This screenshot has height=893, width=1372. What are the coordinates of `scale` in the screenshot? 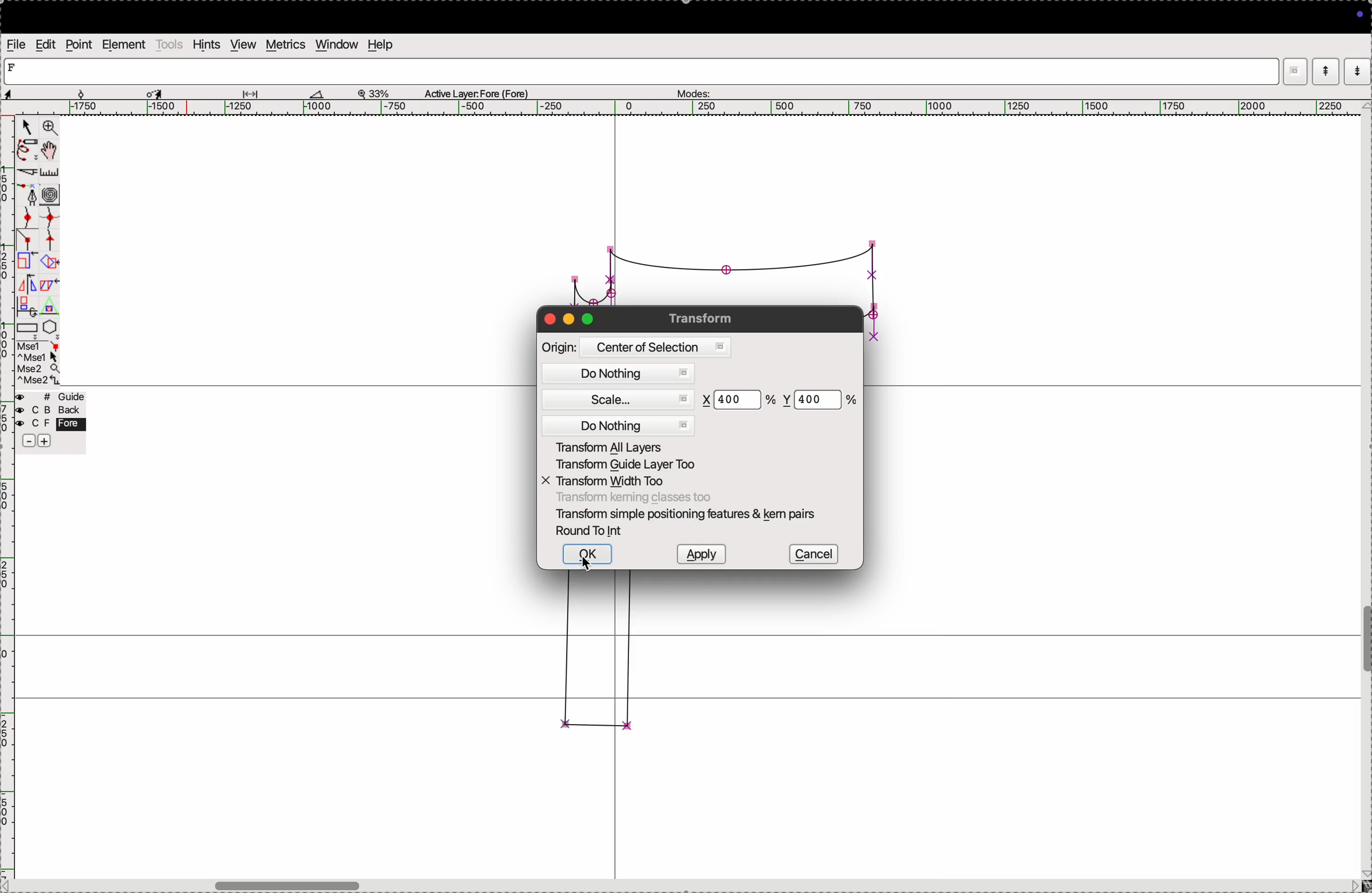 It's located at (623, 401).